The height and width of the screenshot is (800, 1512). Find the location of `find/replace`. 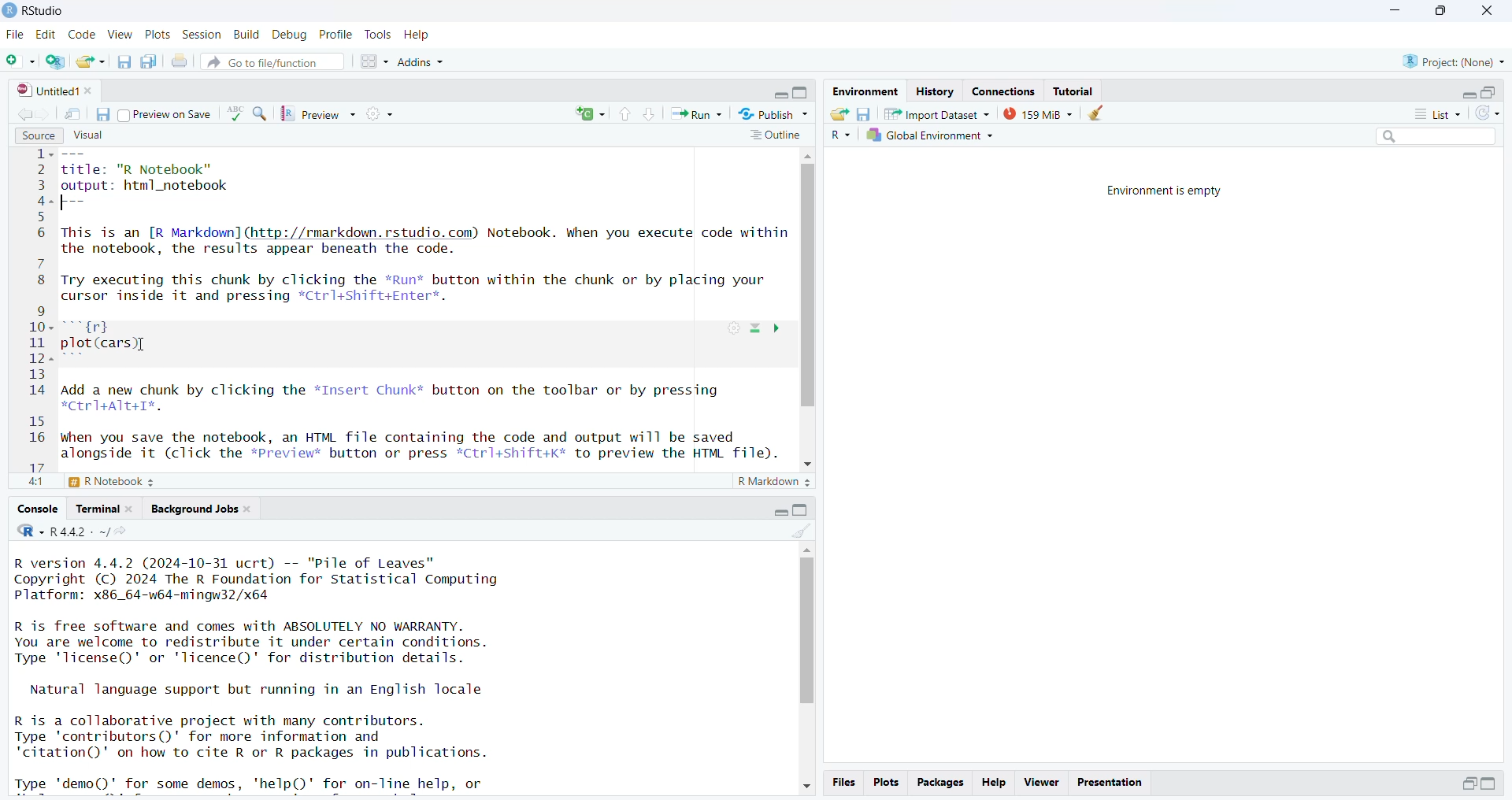

find/replace is located at coordinates (261, 116).